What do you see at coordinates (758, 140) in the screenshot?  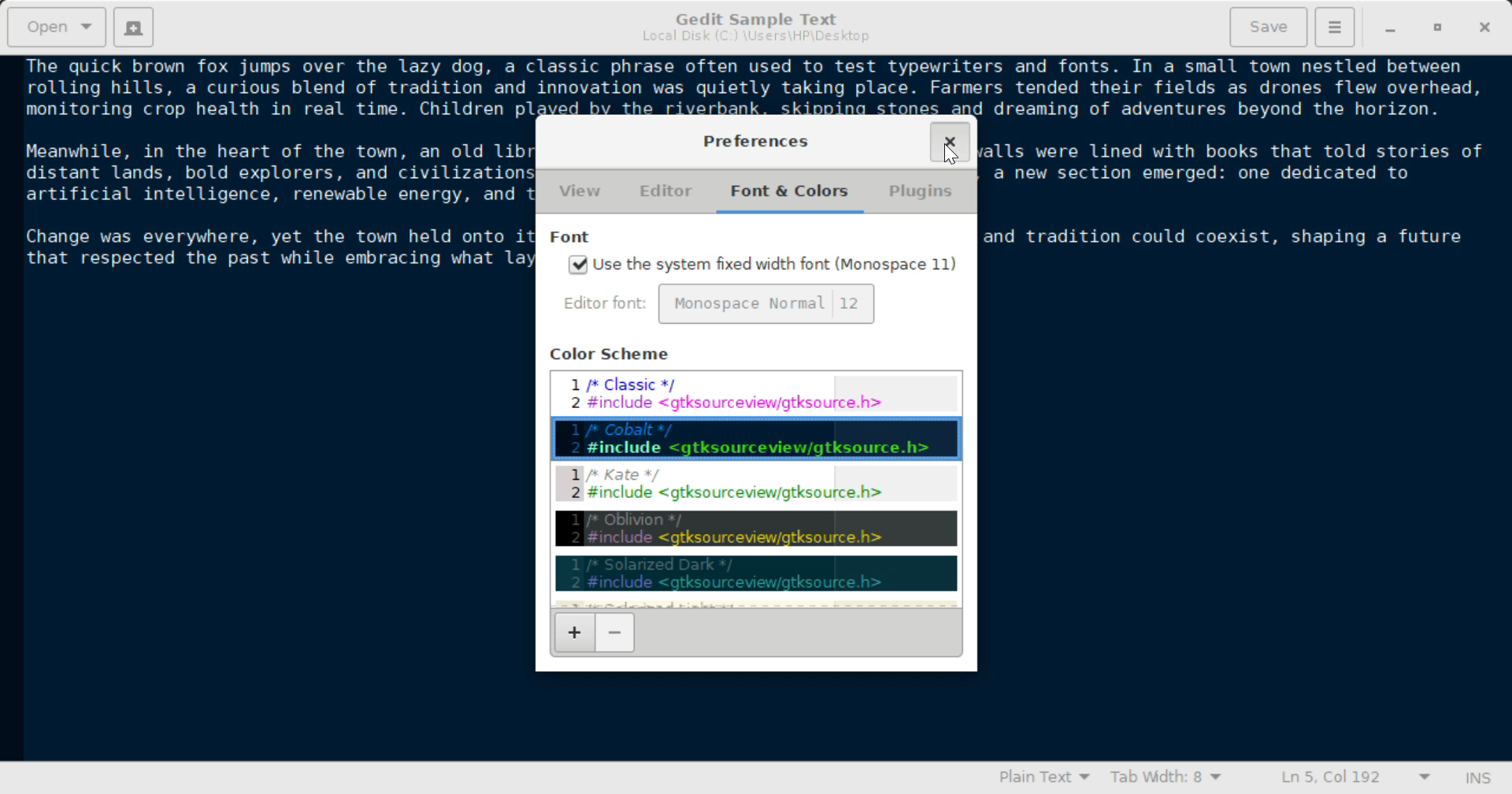 I see `Preferences Setting Window` at bounding box center [758, 140].